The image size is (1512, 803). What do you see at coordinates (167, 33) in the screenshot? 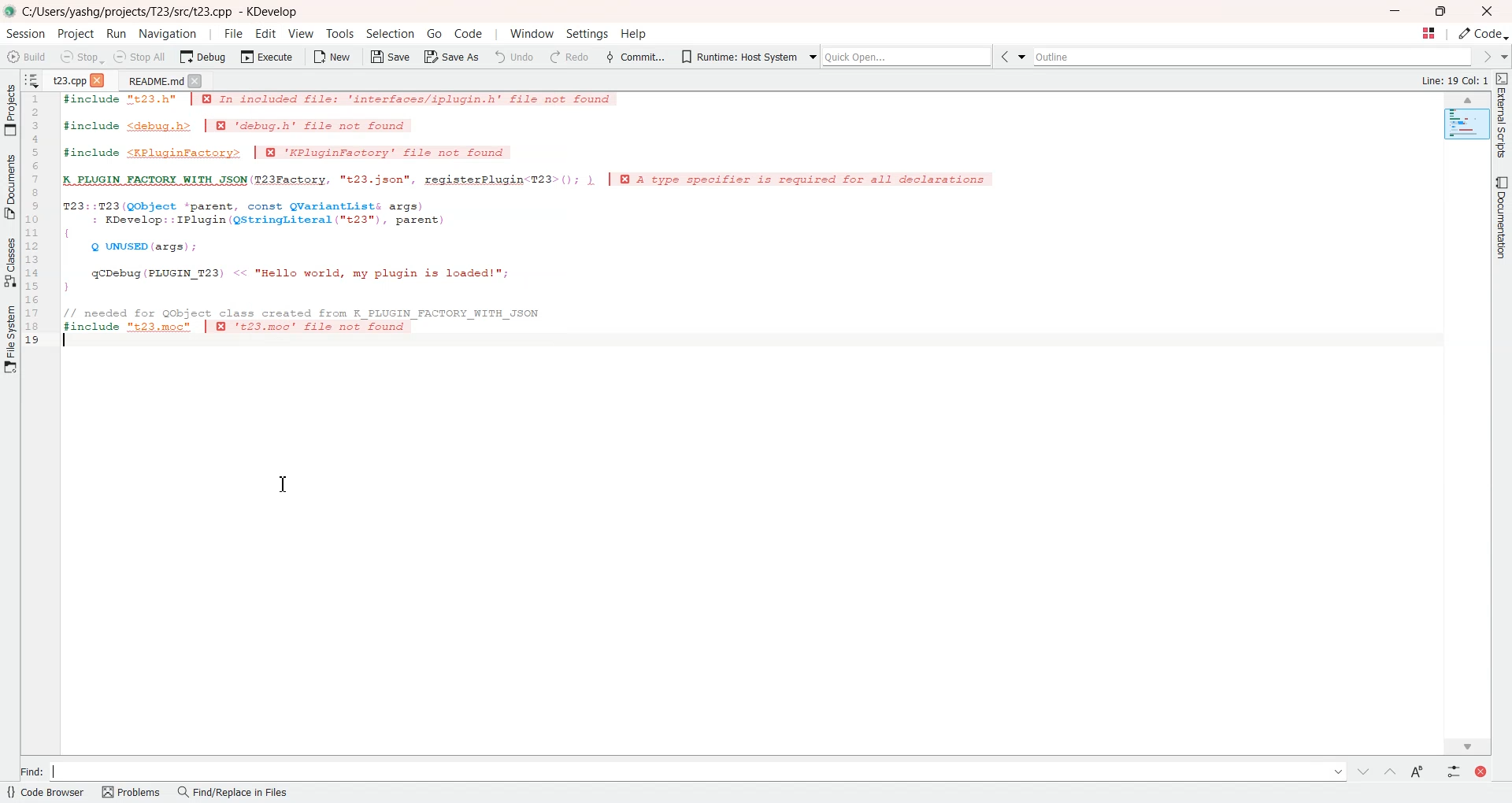
I see `Navigation` at bounding box center [167, 33].